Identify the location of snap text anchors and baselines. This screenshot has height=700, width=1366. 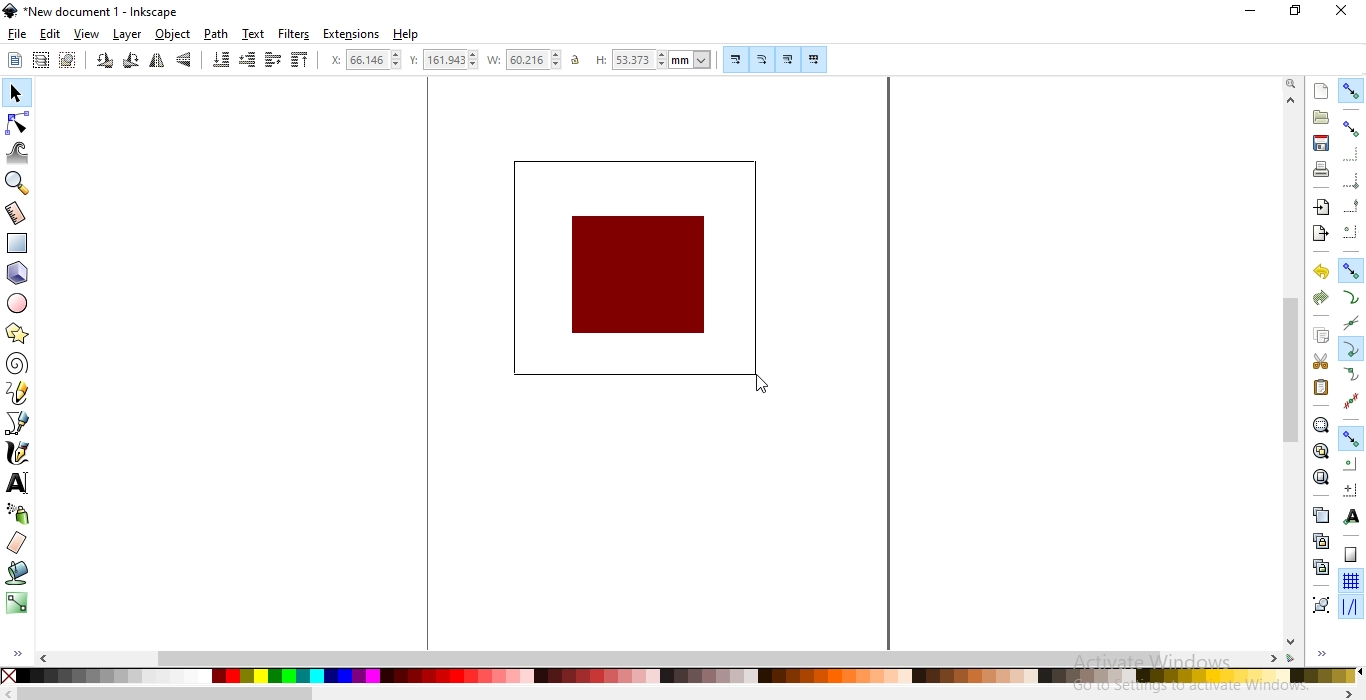
(1349, 515).